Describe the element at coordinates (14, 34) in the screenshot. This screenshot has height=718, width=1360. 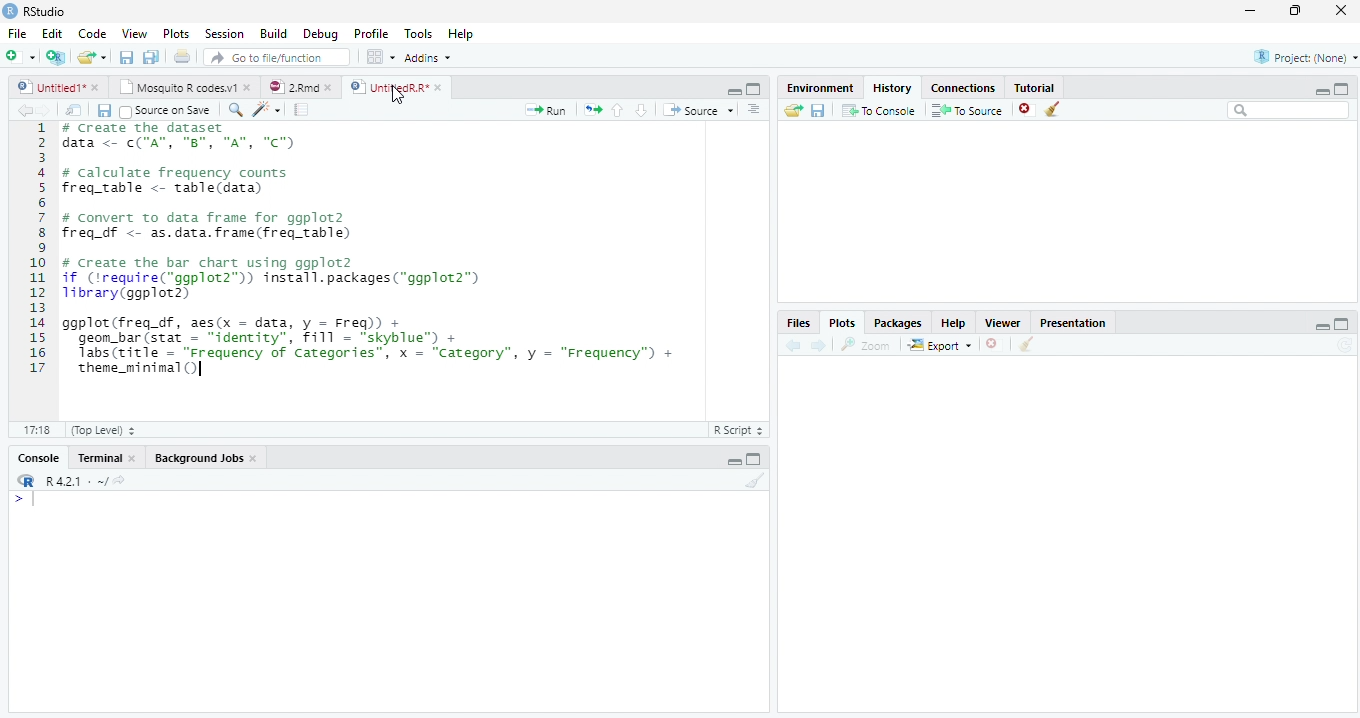
I see `File` at that location.